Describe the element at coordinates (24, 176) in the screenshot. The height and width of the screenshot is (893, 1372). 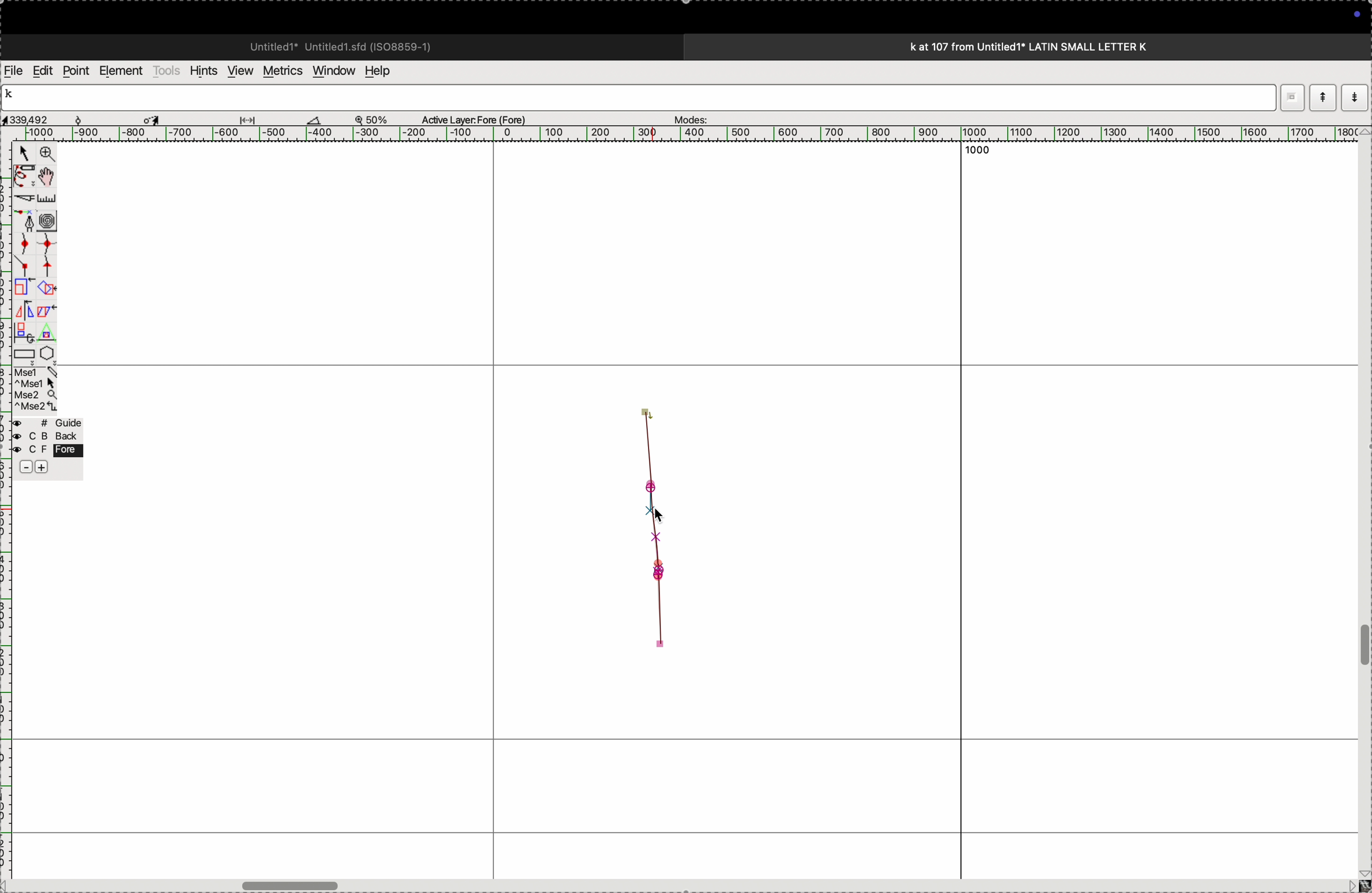
I see `pen` at that location.